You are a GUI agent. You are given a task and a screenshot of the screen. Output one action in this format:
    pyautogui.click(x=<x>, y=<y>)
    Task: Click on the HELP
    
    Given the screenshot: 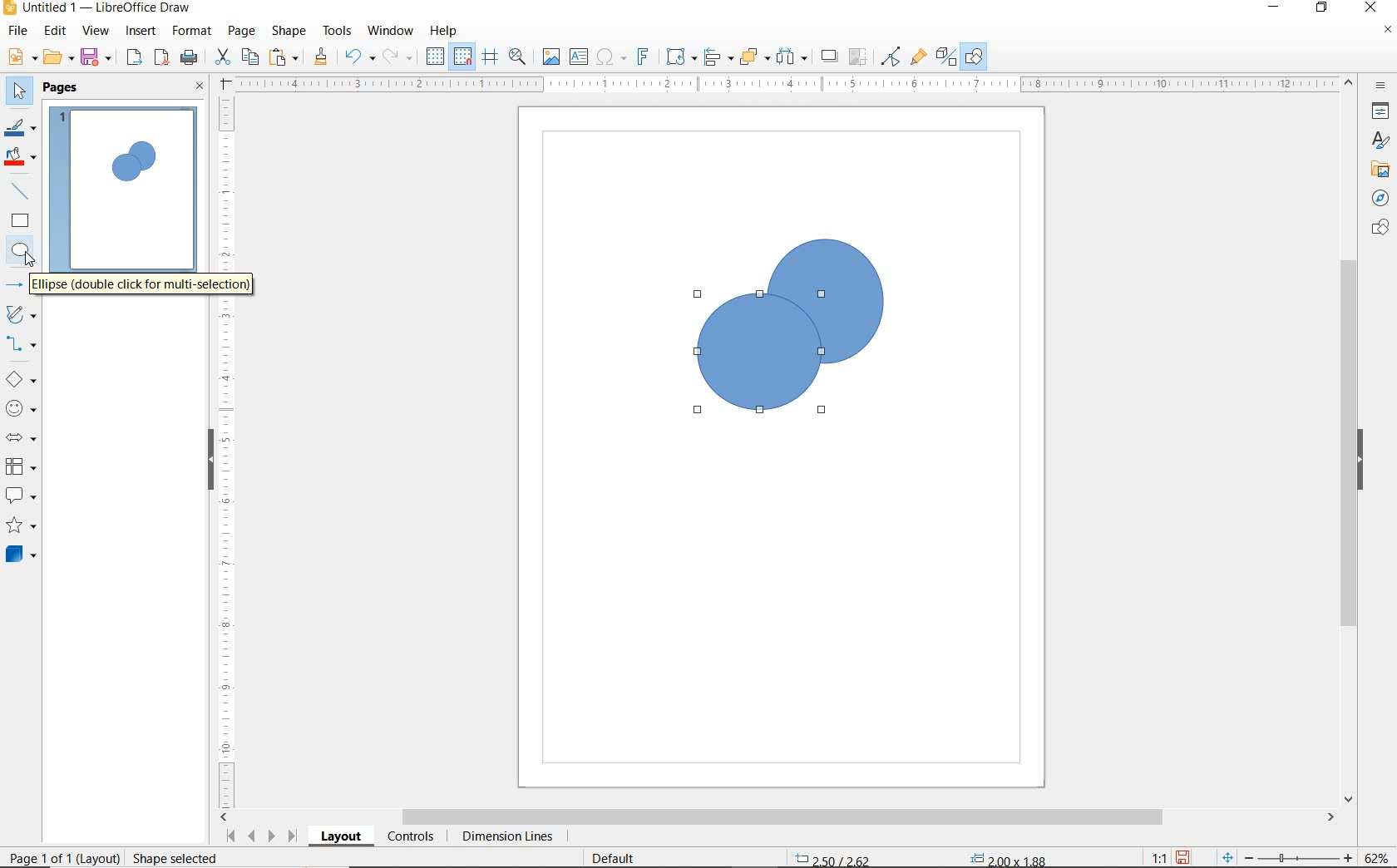 What is the action you would take?
    pyautogui.click(x=444, y=31)
    